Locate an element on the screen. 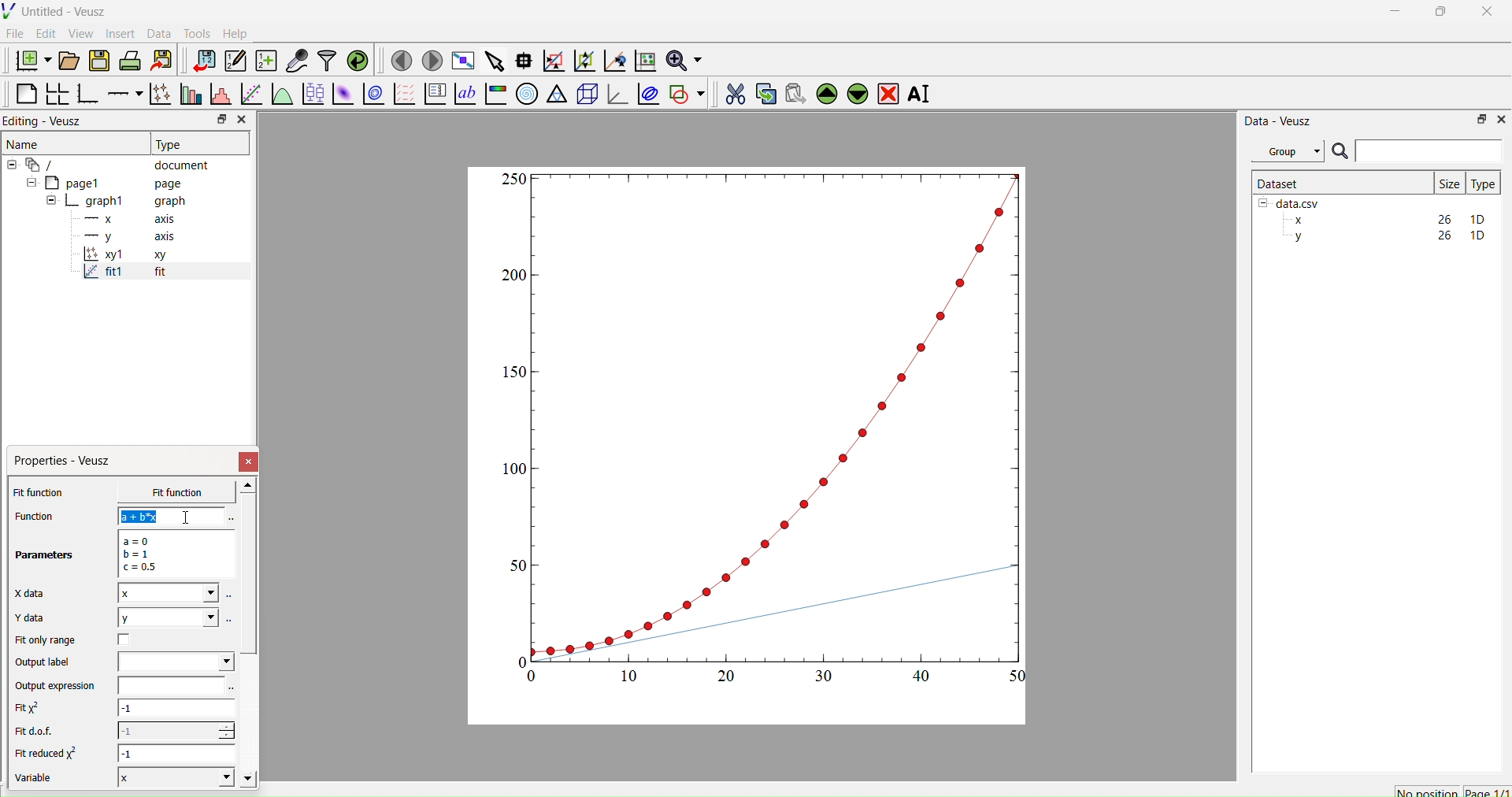 This screenshot has width=1512, height=797. Data - Veusz is located at coordinates (1278, 120).